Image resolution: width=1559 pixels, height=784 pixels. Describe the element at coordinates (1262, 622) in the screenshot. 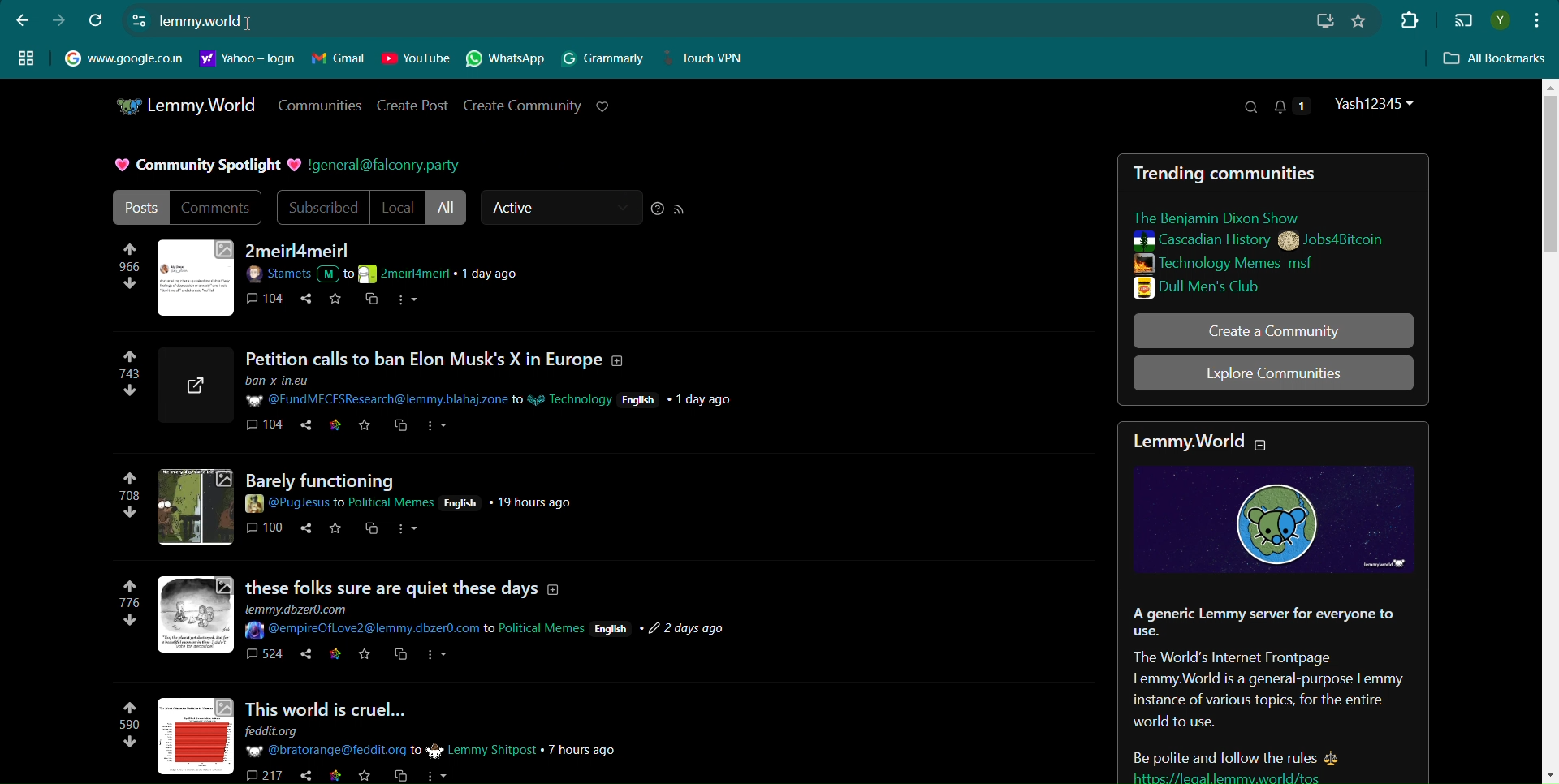

I see `A generic Lemmy server for everyone to use.` at that location.